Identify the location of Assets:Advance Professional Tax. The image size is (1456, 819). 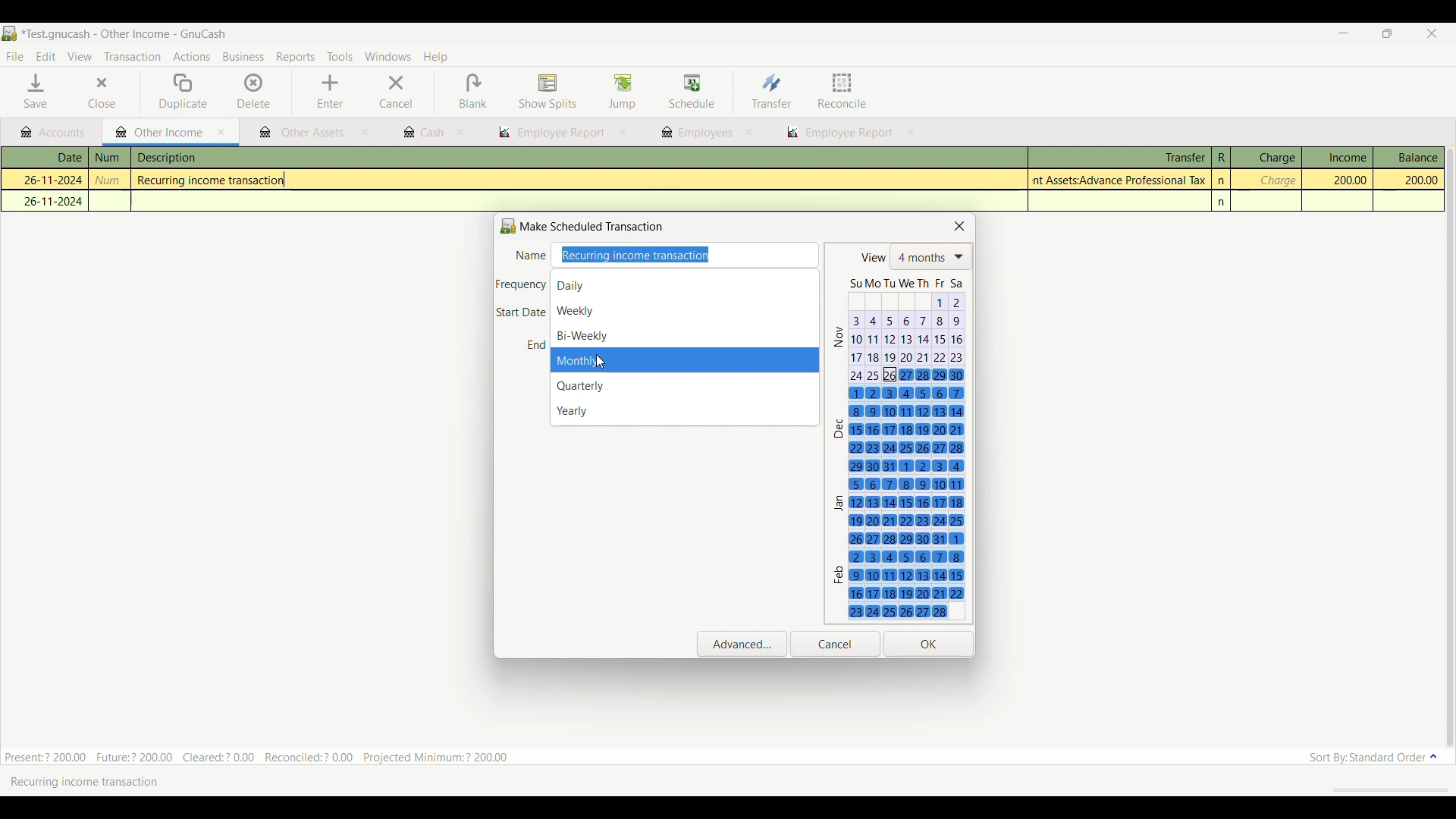
(1122, 180).